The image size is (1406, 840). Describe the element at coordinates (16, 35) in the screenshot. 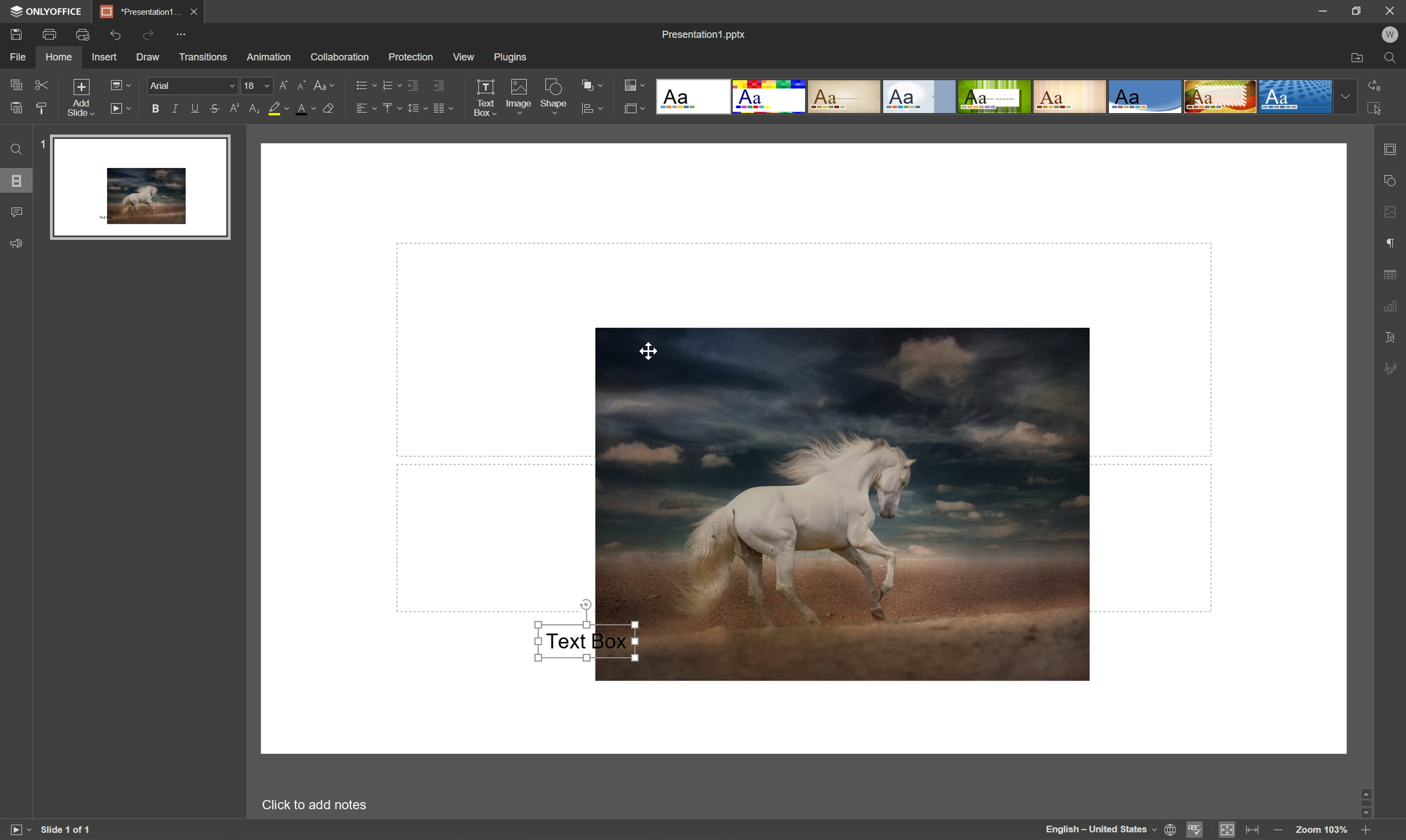

I see `Save` at that location.